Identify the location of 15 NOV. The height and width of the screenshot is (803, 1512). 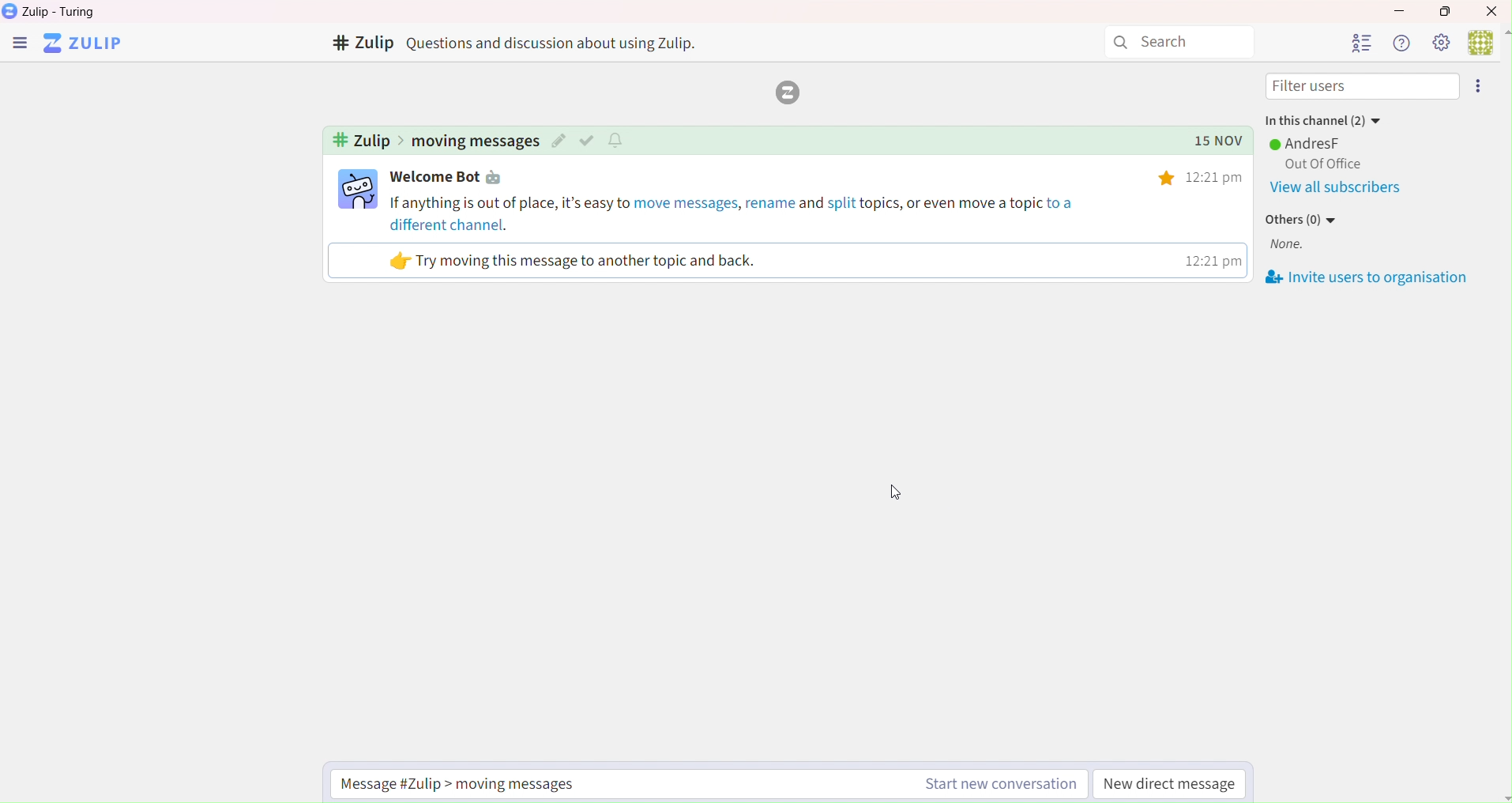
(1211, 141).